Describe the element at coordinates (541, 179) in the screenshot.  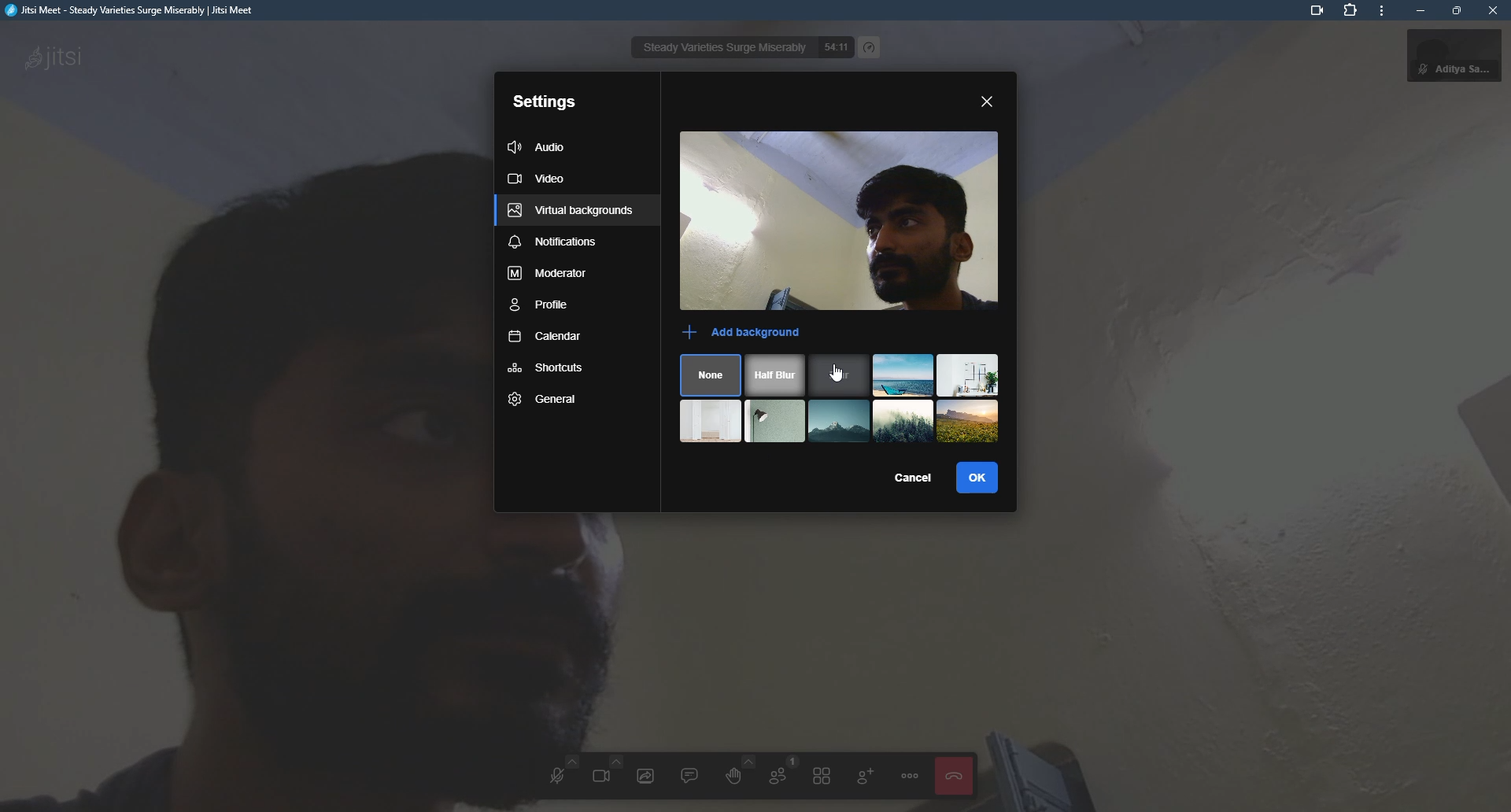
I see `video` at that location.